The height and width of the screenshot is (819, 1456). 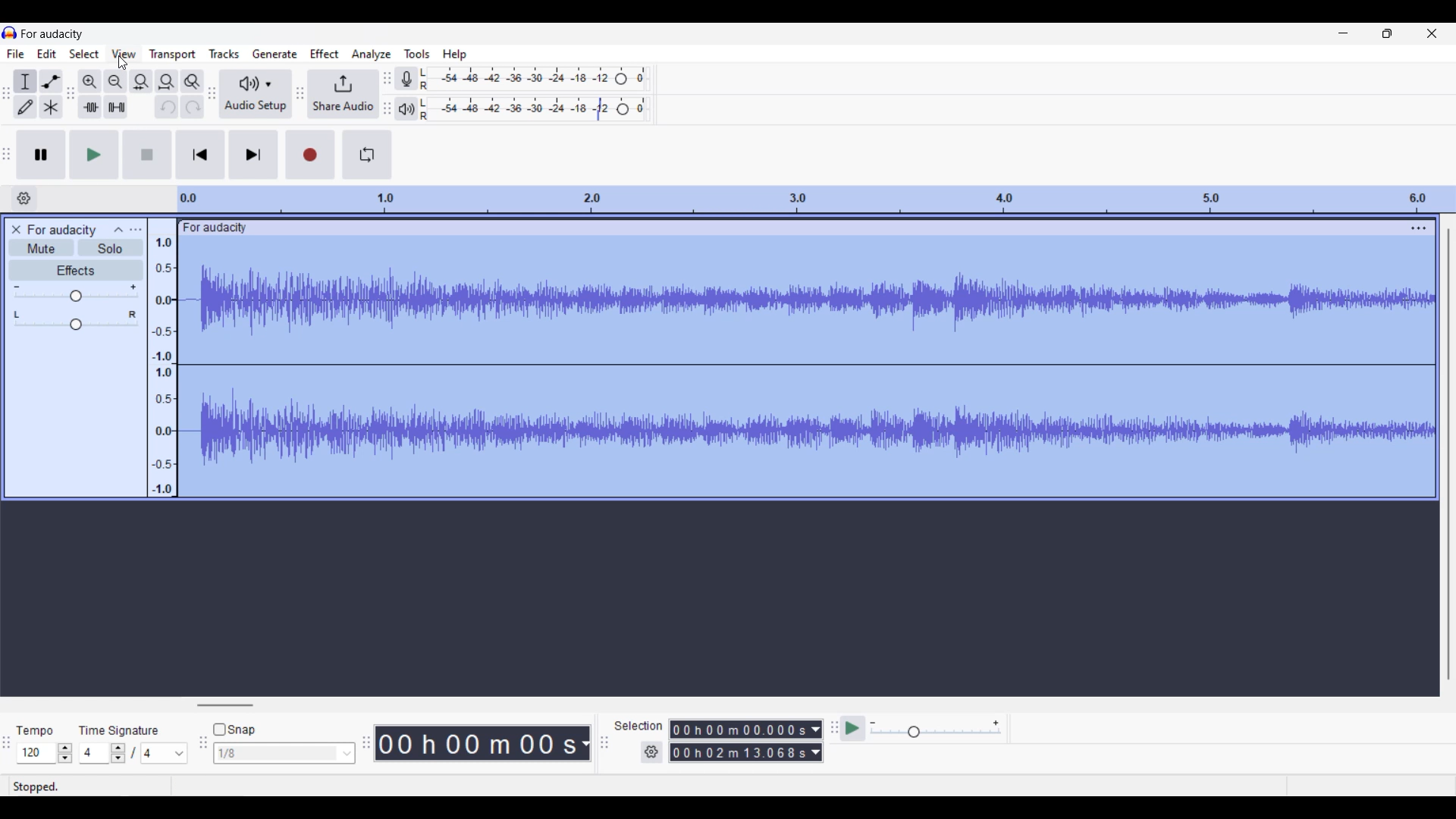 What do you see at coordinates (53, 34) in the screenshot?
I see `Project name` at bounding box center [53, 34].